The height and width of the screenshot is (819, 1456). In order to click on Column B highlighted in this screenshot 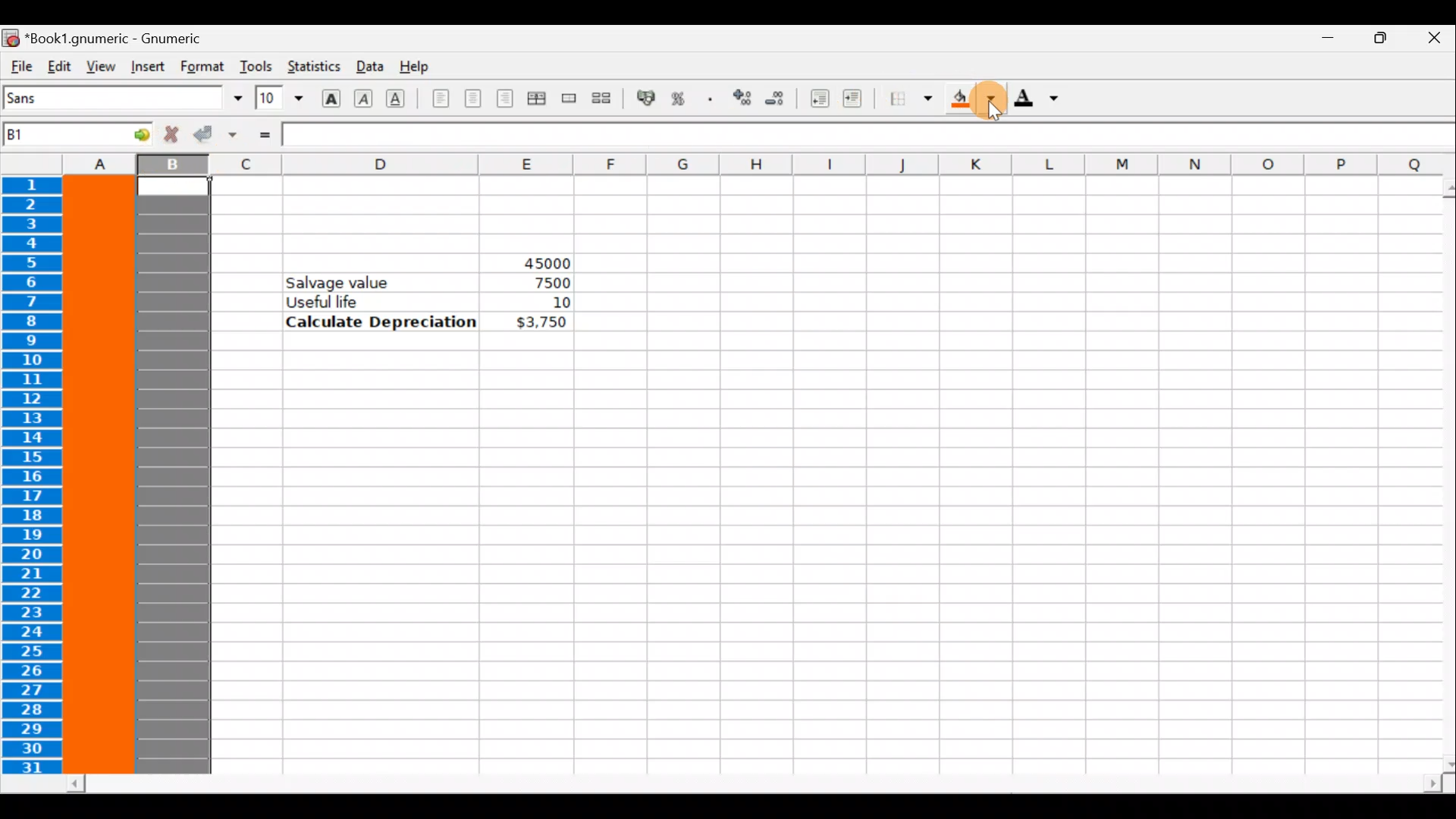, I will do `click(177, 476)`.